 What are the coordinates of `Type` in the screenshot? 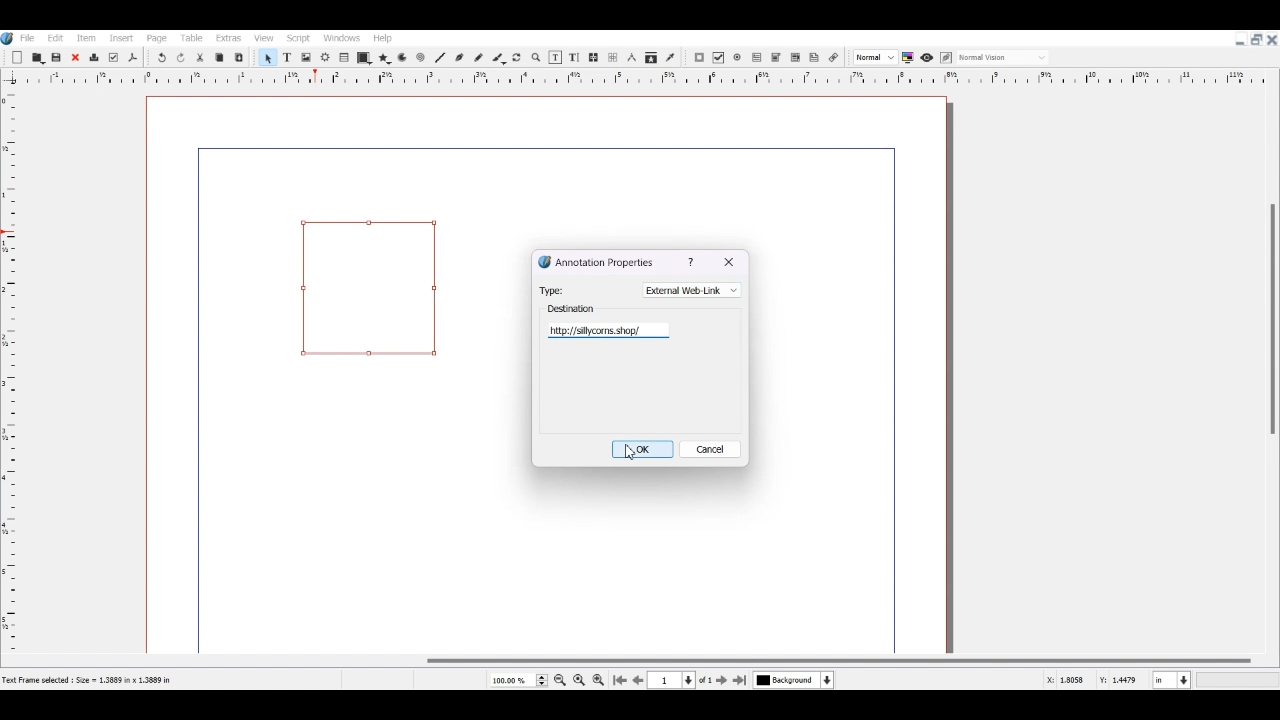 It's located at (552, 289).